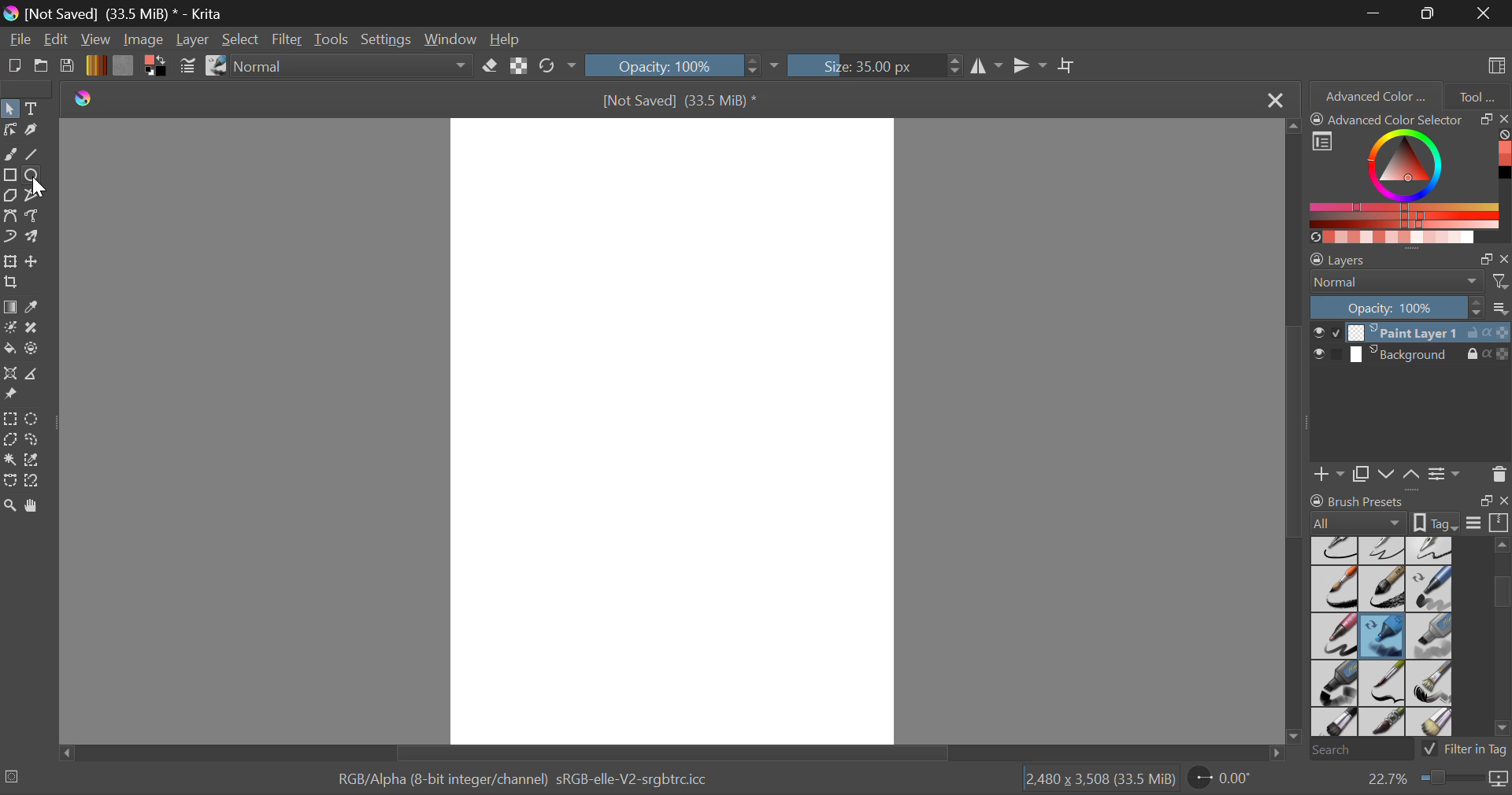 The image size is (1512, 795). What do you see at coordinates (390, 39) in the screenshot?
I see `Settings` at bounding box center [390, 39].